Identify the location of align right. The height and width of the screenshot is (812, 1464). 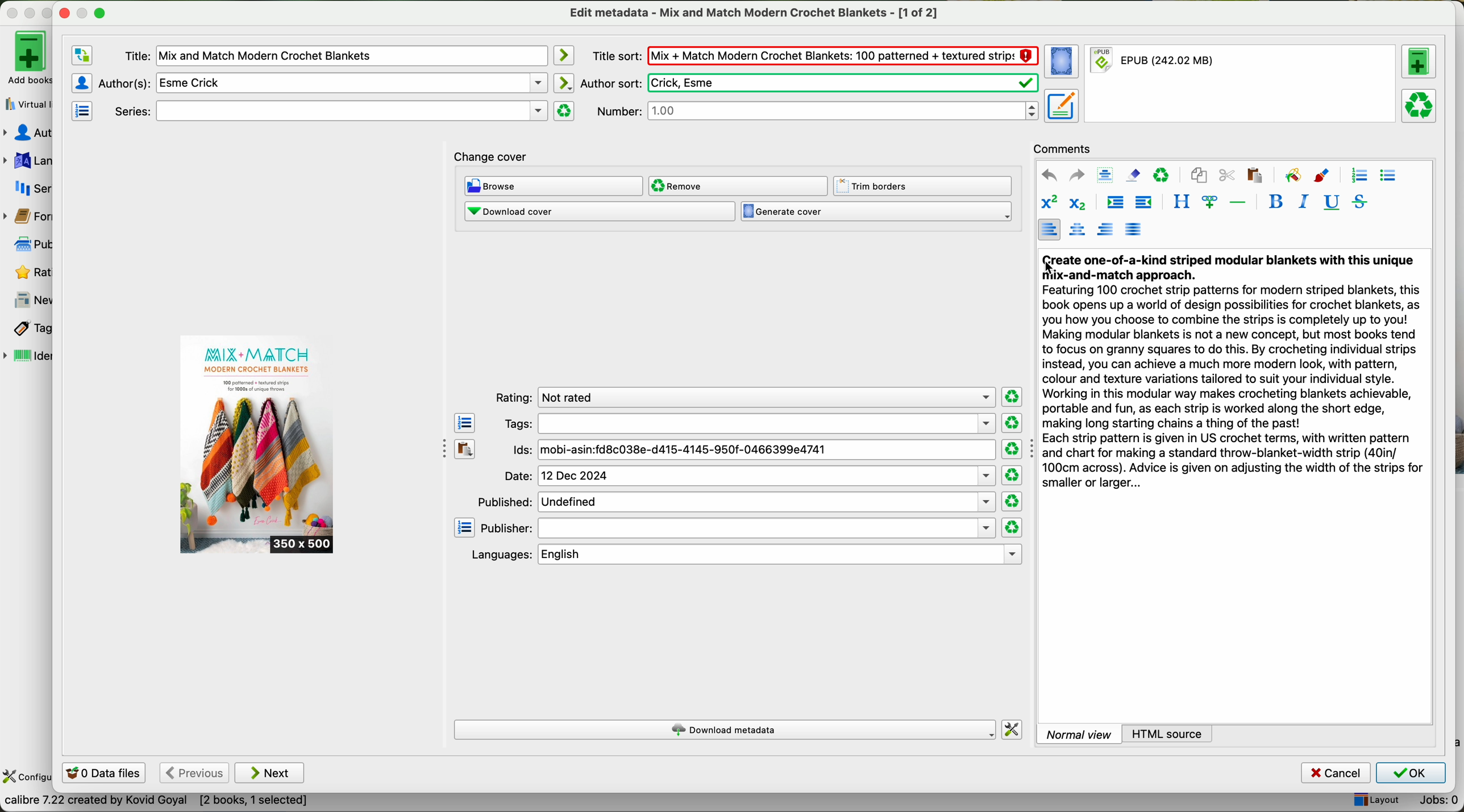
(1106, 228).